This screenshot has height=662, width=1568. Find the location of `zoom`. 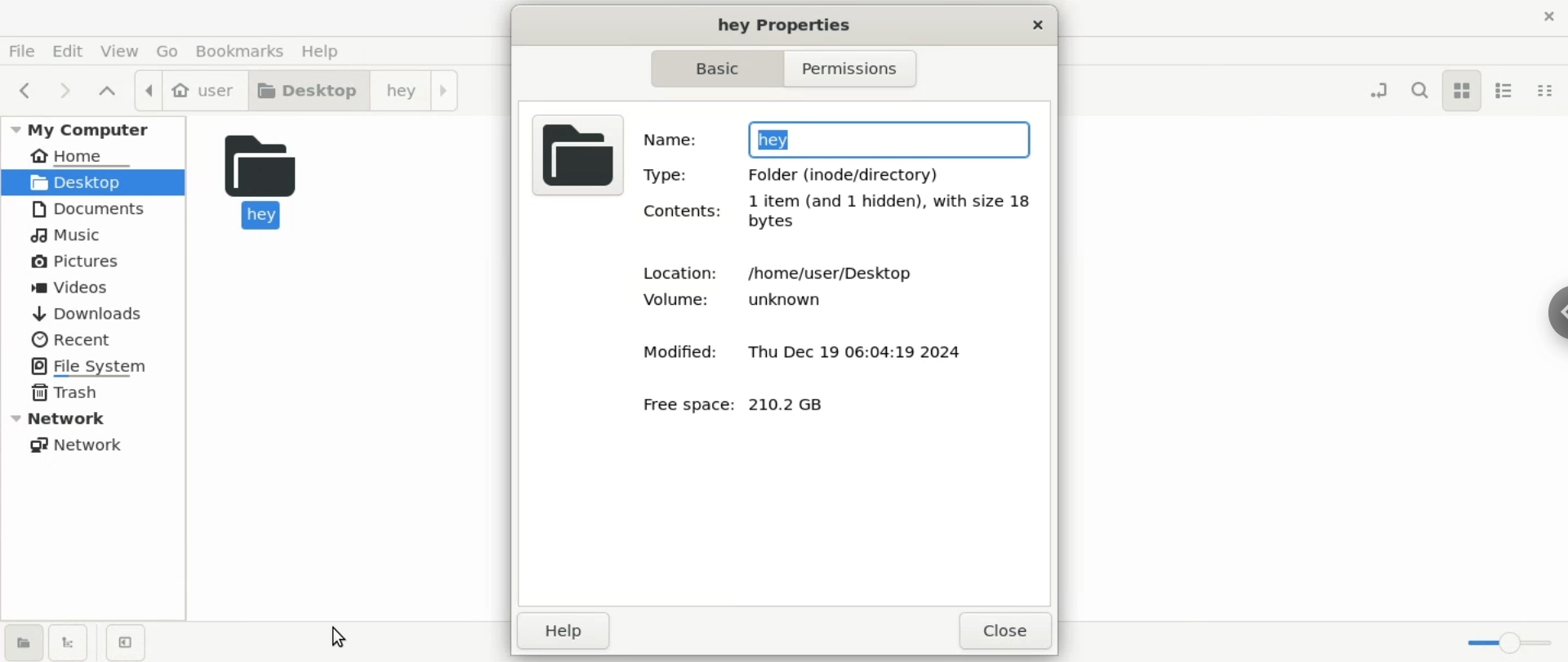

zoom is located at coordinates (1514, 642).